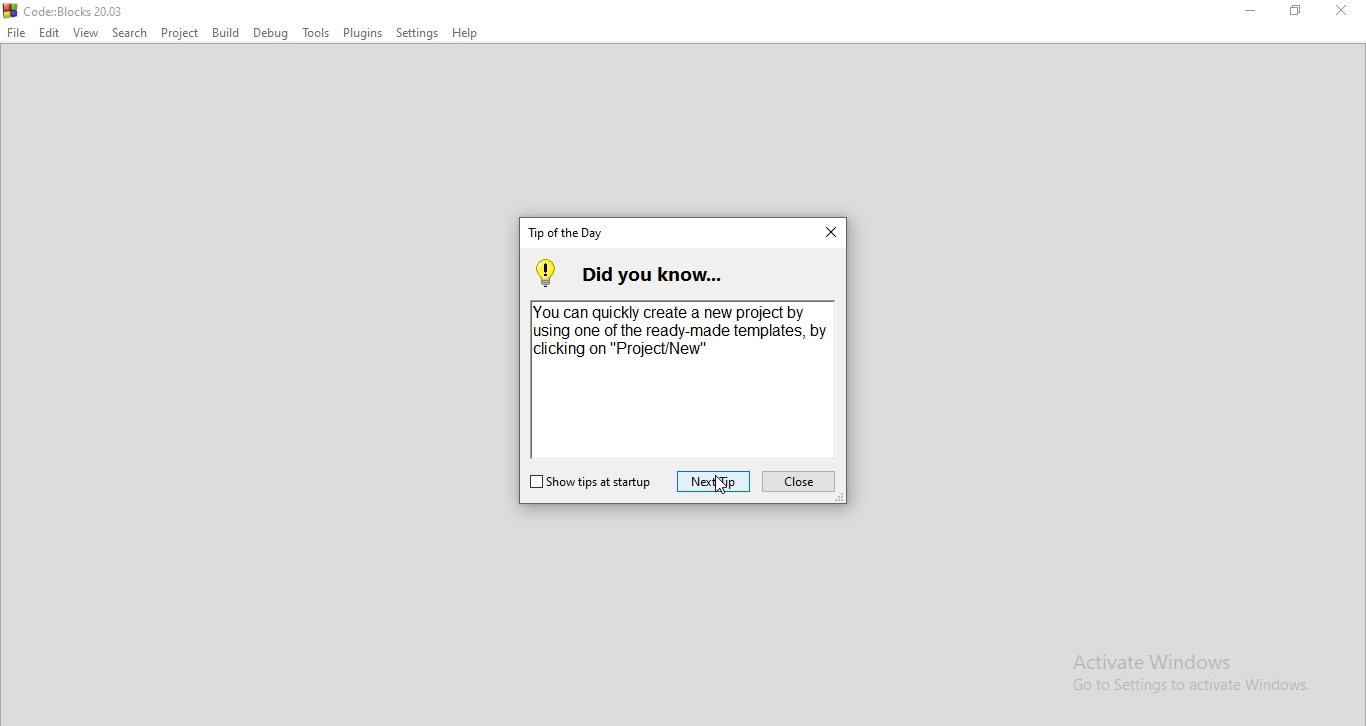 Image resolution: width=1366 pixels, height=726 pixels. I want to click on did you know, so click(627, 270).